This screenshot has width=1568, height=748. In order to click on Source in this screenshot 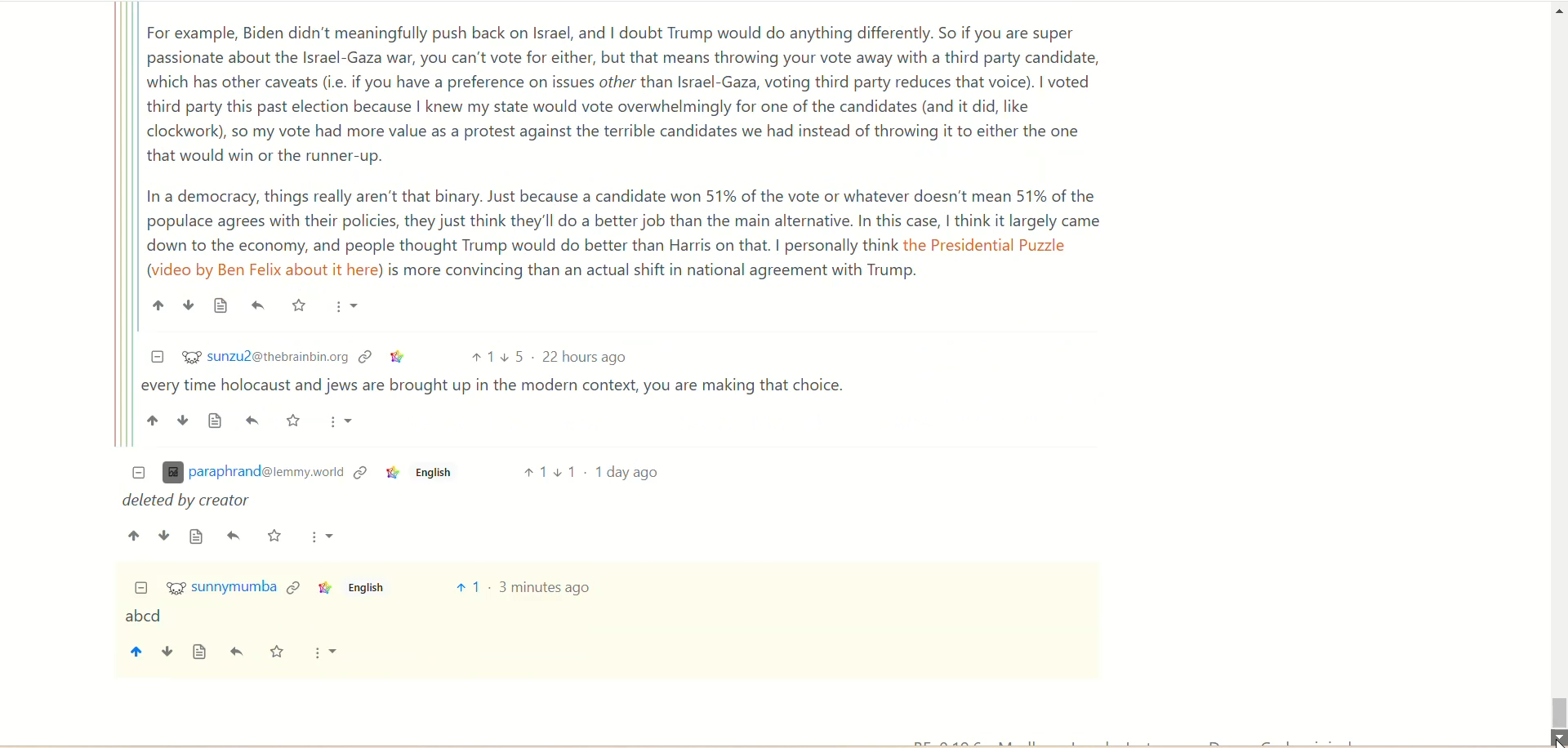, I will do `click(198, 537)`.